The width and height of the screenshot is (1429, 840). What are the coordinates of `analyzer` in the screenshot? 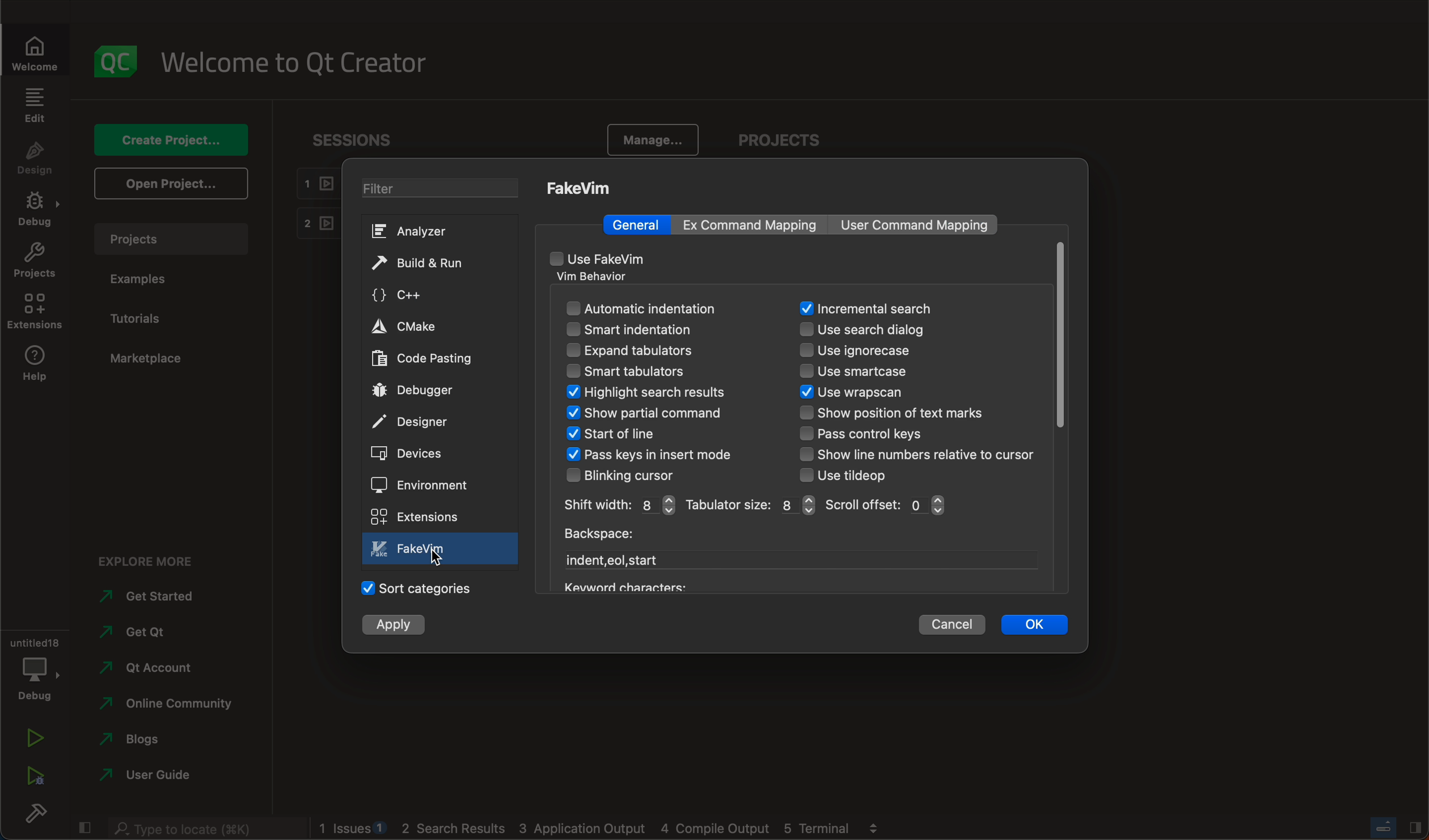 It's located at (424, 232).